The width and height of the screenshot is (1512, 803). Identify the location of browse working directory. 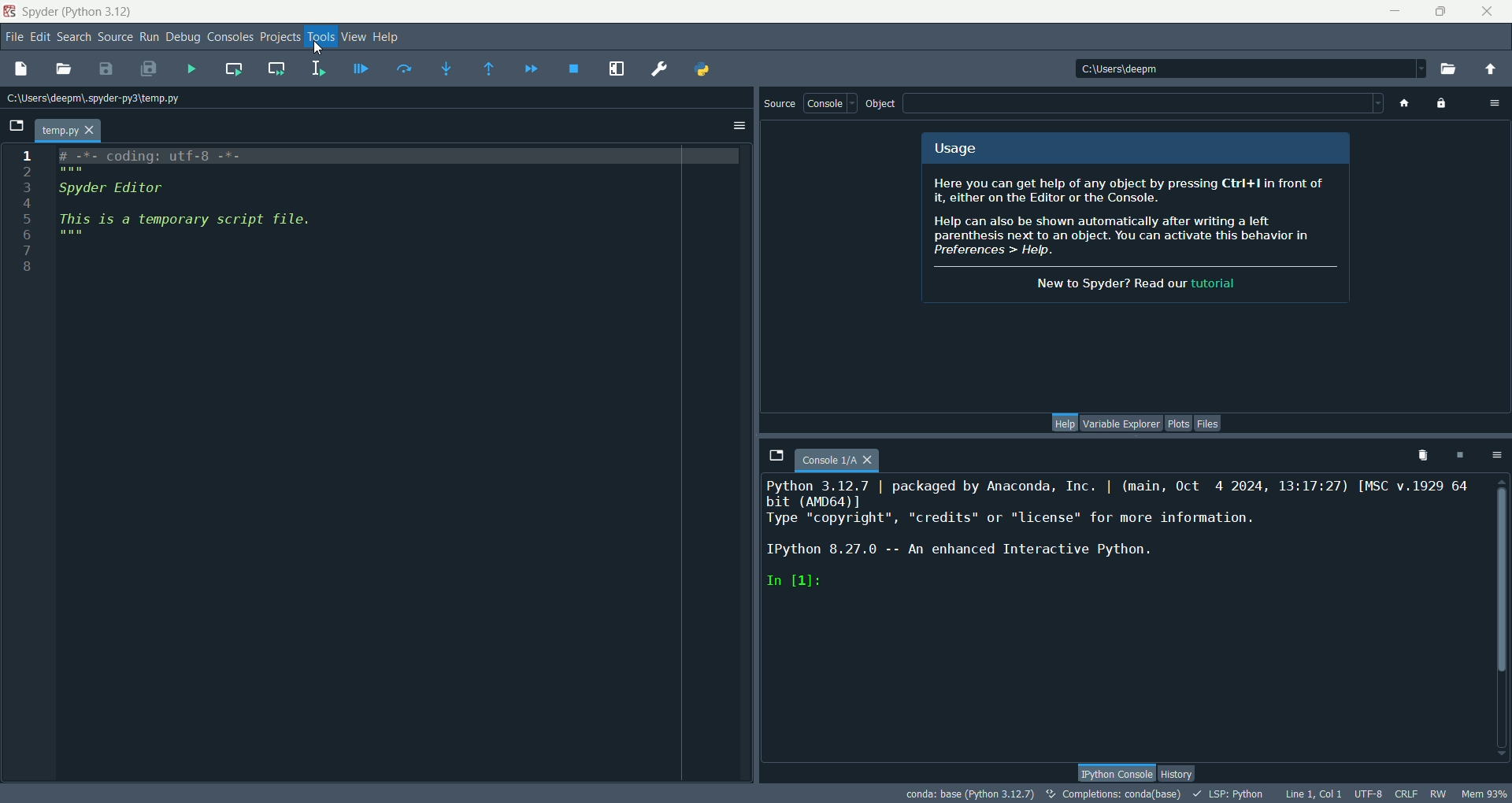
(1452, 67).